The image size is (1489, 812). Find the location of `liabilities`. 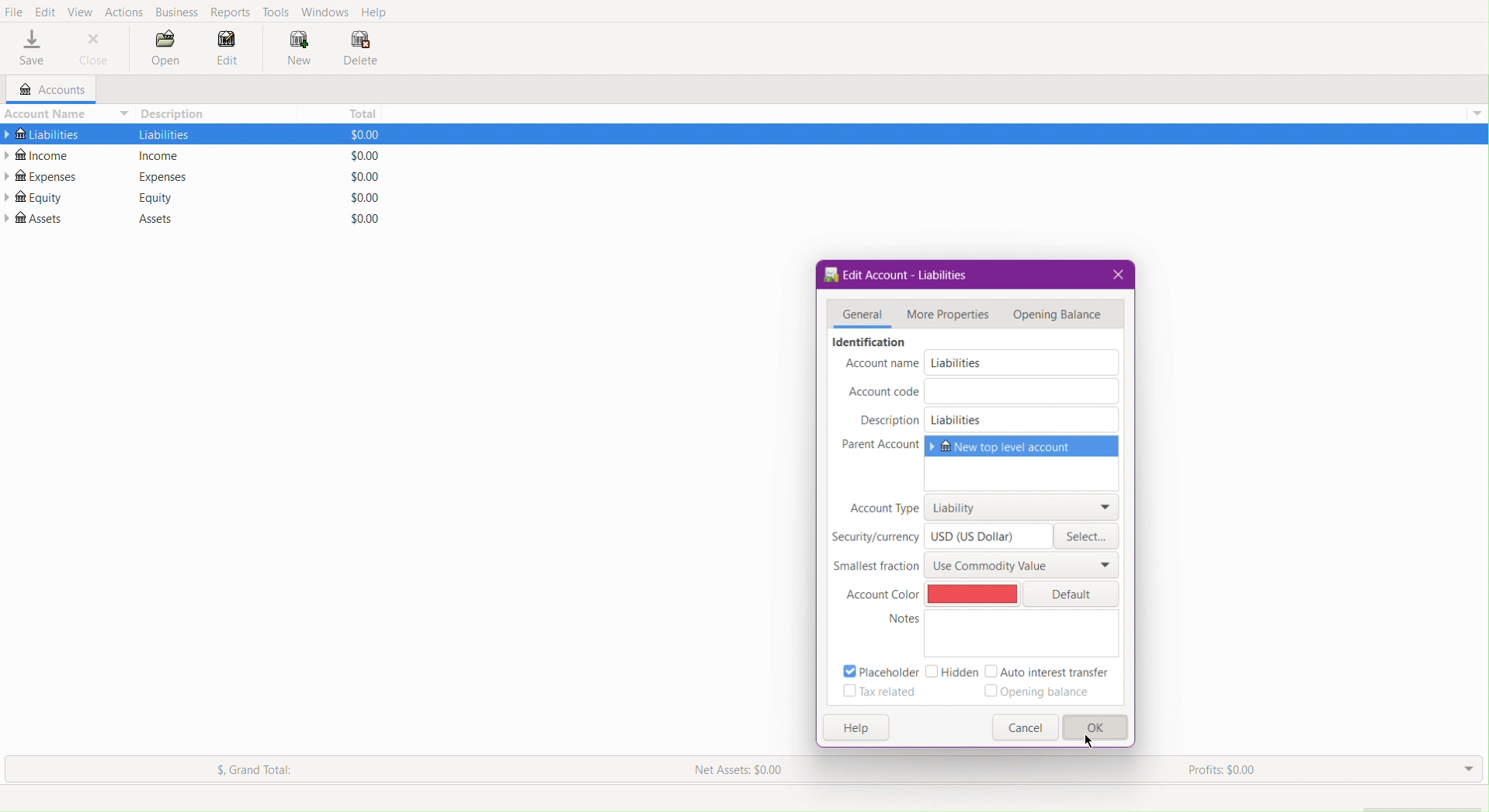

liabilities is located at coordinates (164, 134).